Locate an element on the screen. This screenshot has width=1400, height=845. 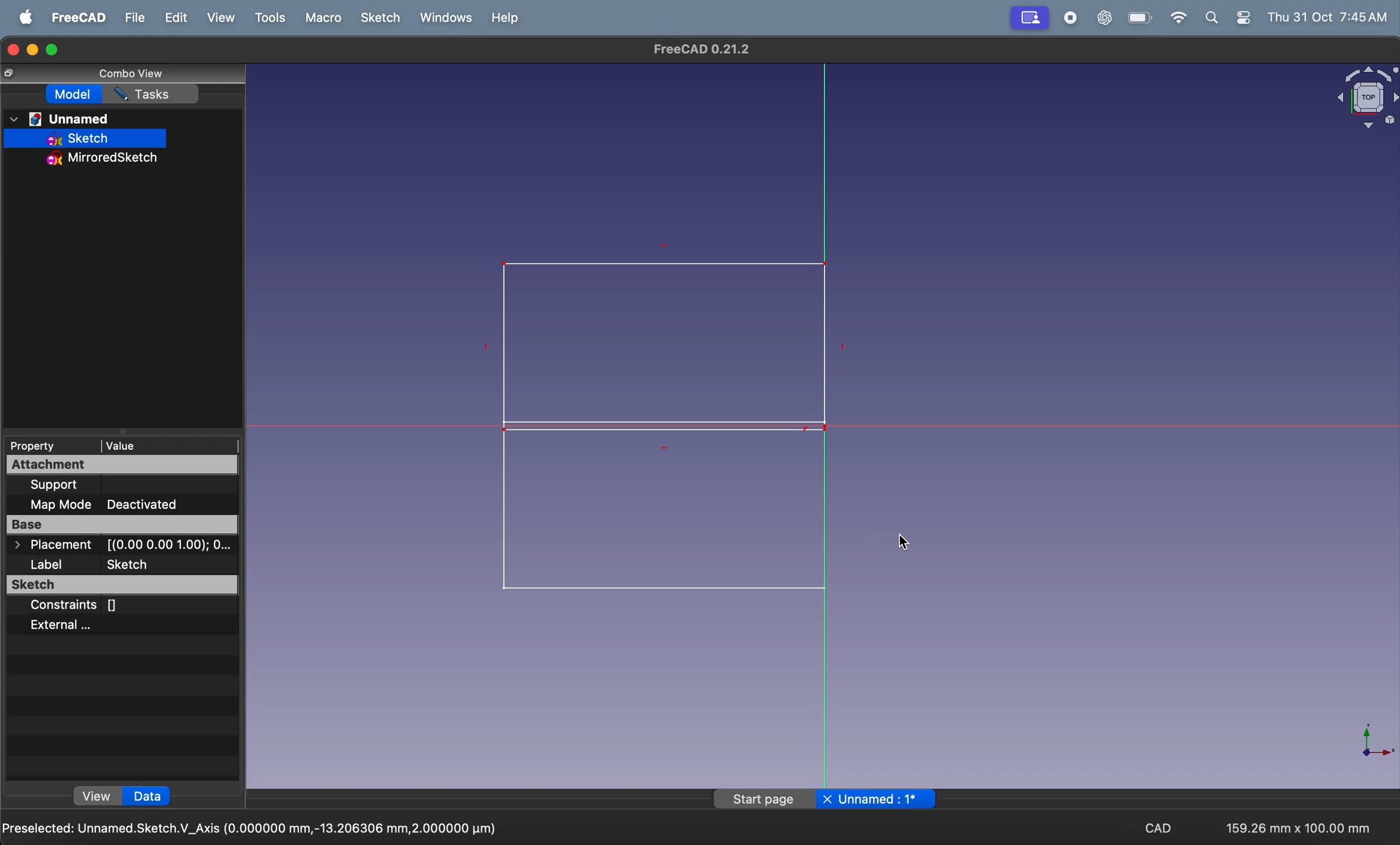
closing window is located at coordinates (14, 49).